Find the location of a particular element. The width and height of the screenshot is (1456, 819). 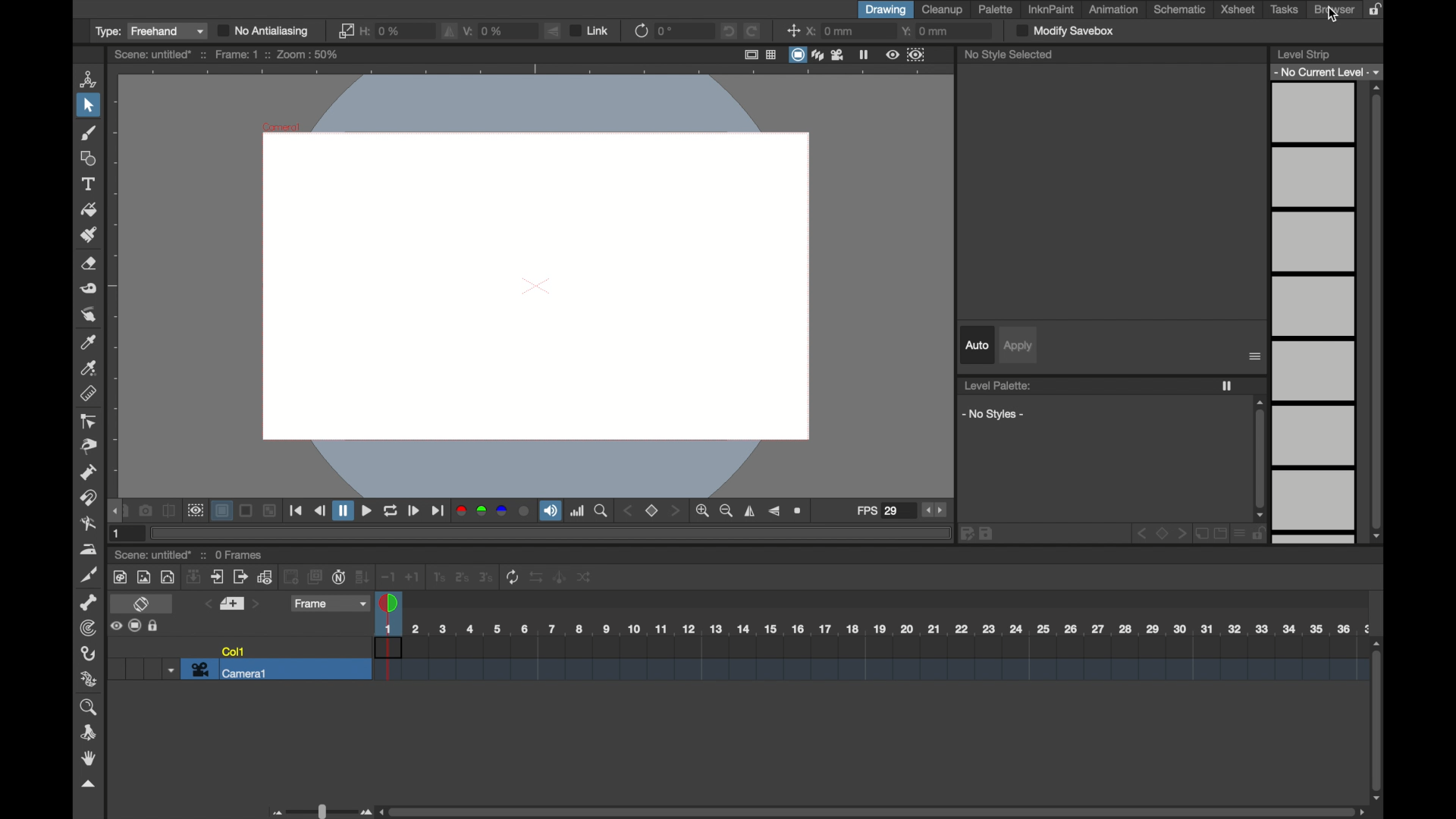

view is located at coordinates (891, 55).